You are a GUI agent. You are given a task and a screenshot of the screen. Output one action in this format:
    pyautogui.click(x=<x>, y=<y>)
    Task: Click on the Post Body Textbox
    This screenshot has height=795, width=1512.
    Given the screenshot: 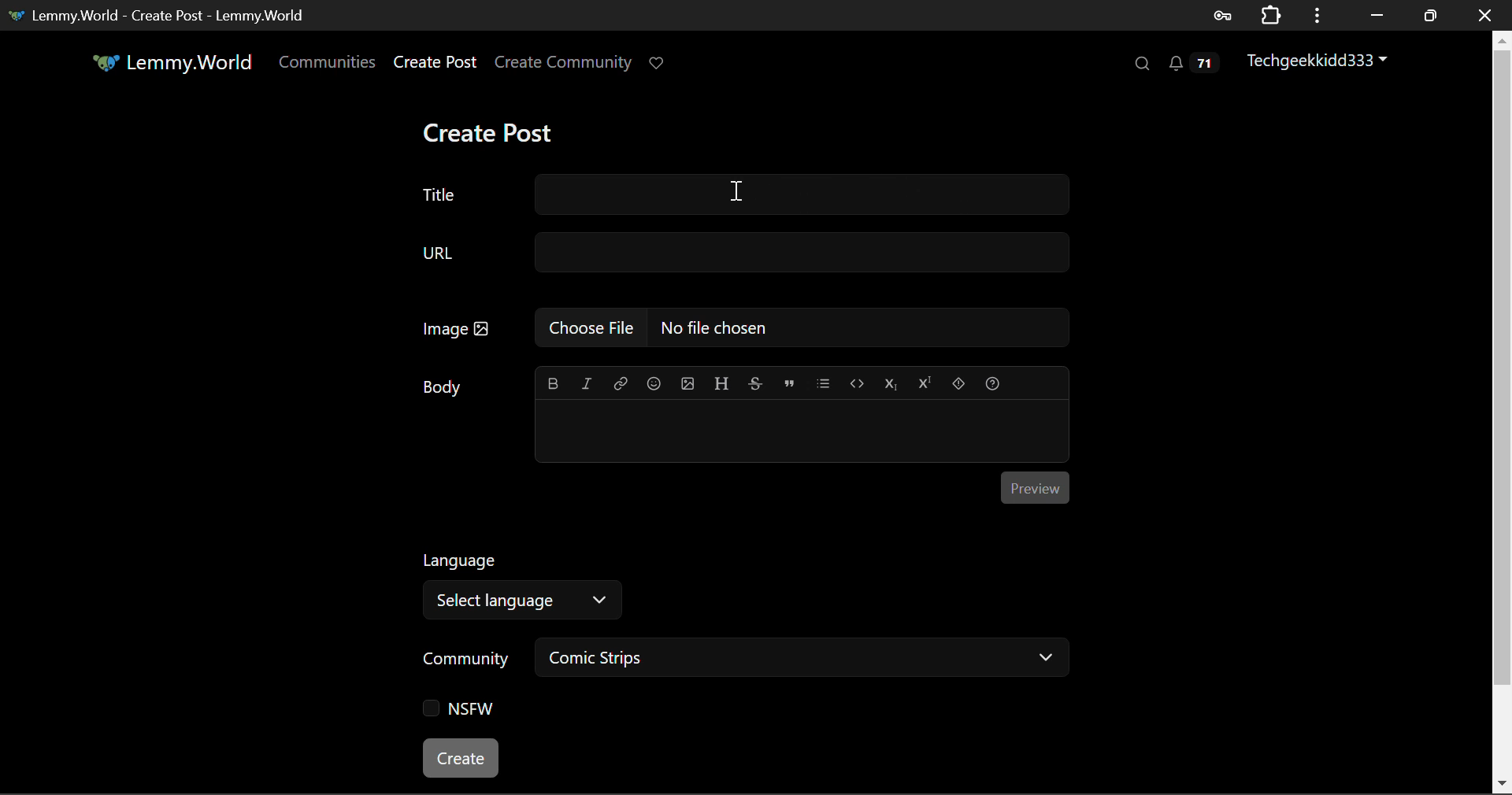 What is the action you would take?
    pyautogui.click(x=802, y=430)
    